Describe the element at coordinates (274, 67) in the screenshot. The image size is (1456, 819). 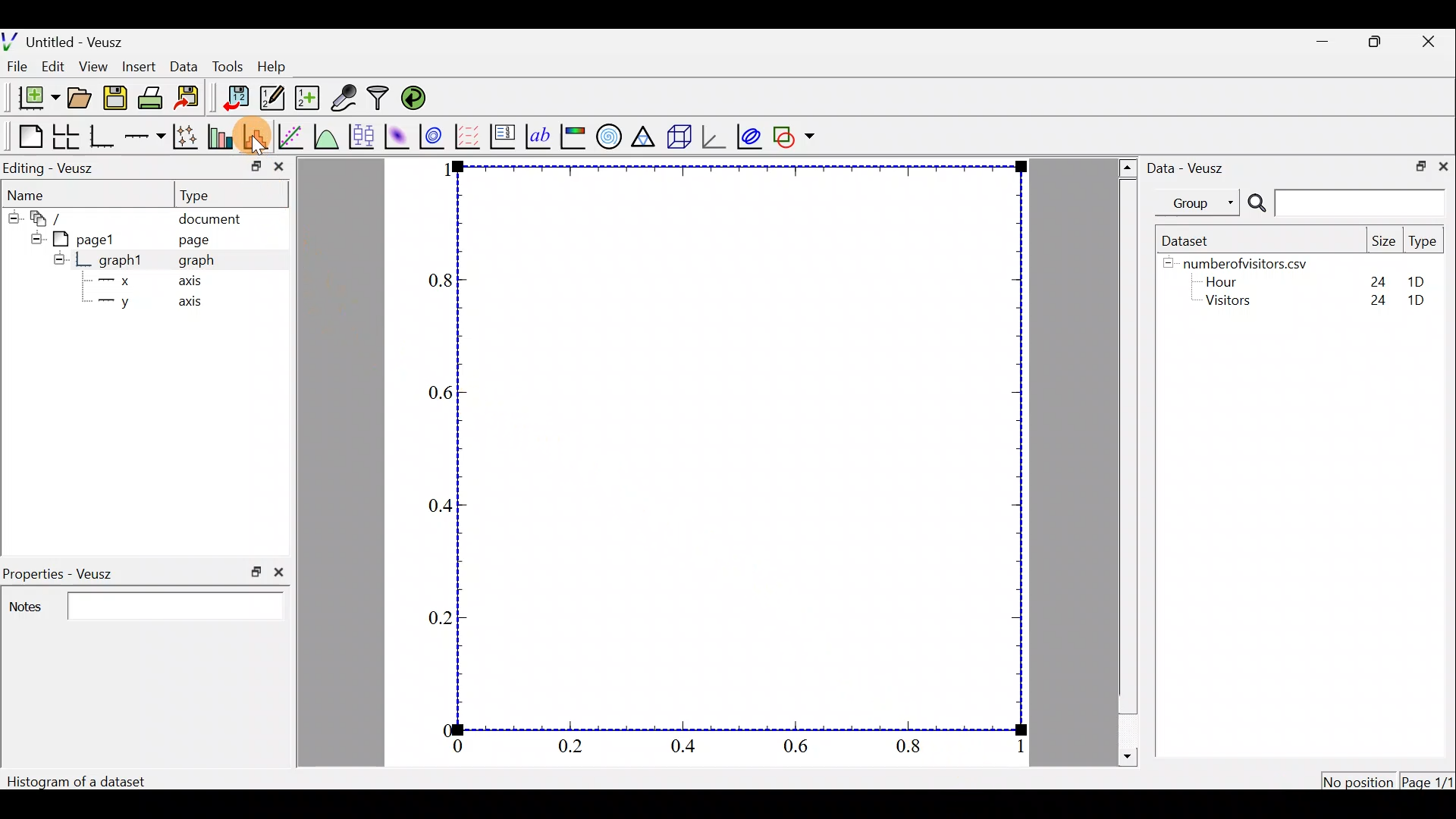
I see `Help` at that location.